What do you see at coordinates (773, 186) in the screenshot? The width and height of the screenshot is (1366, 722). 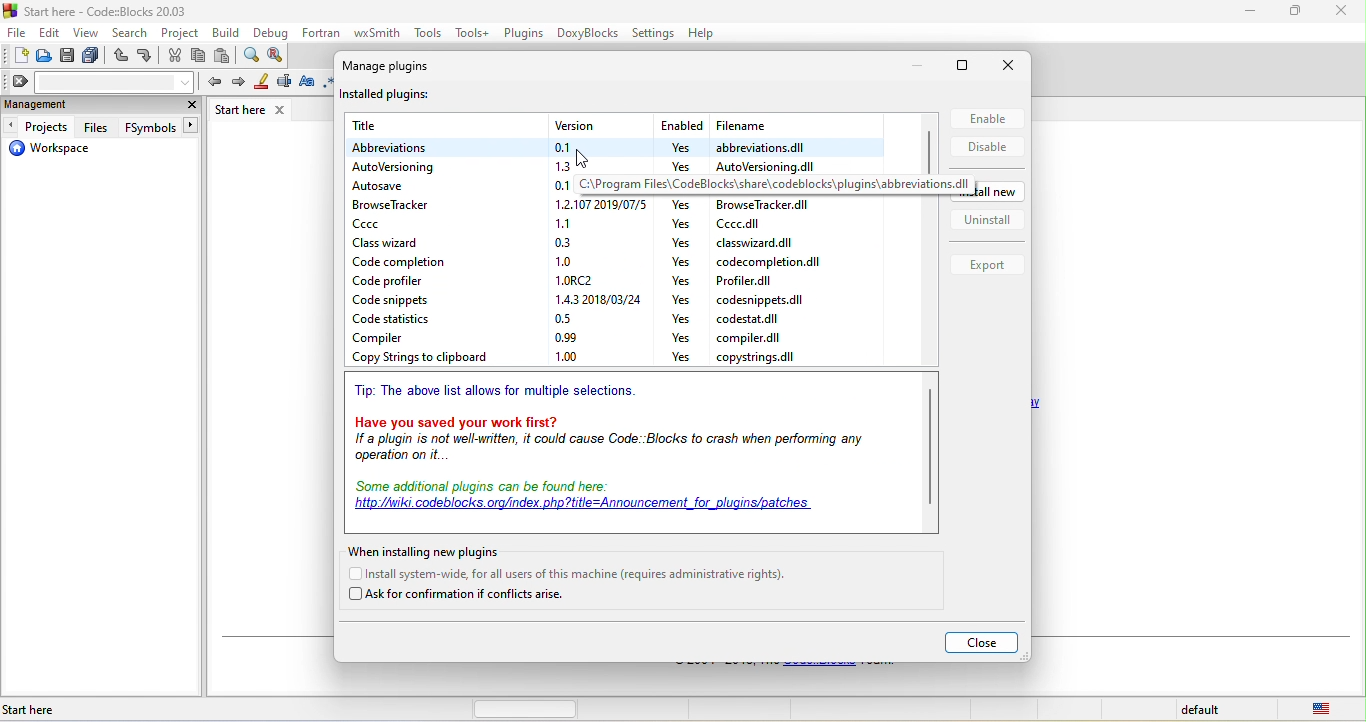 I see `dialog box` at bounding box center [773, 186].